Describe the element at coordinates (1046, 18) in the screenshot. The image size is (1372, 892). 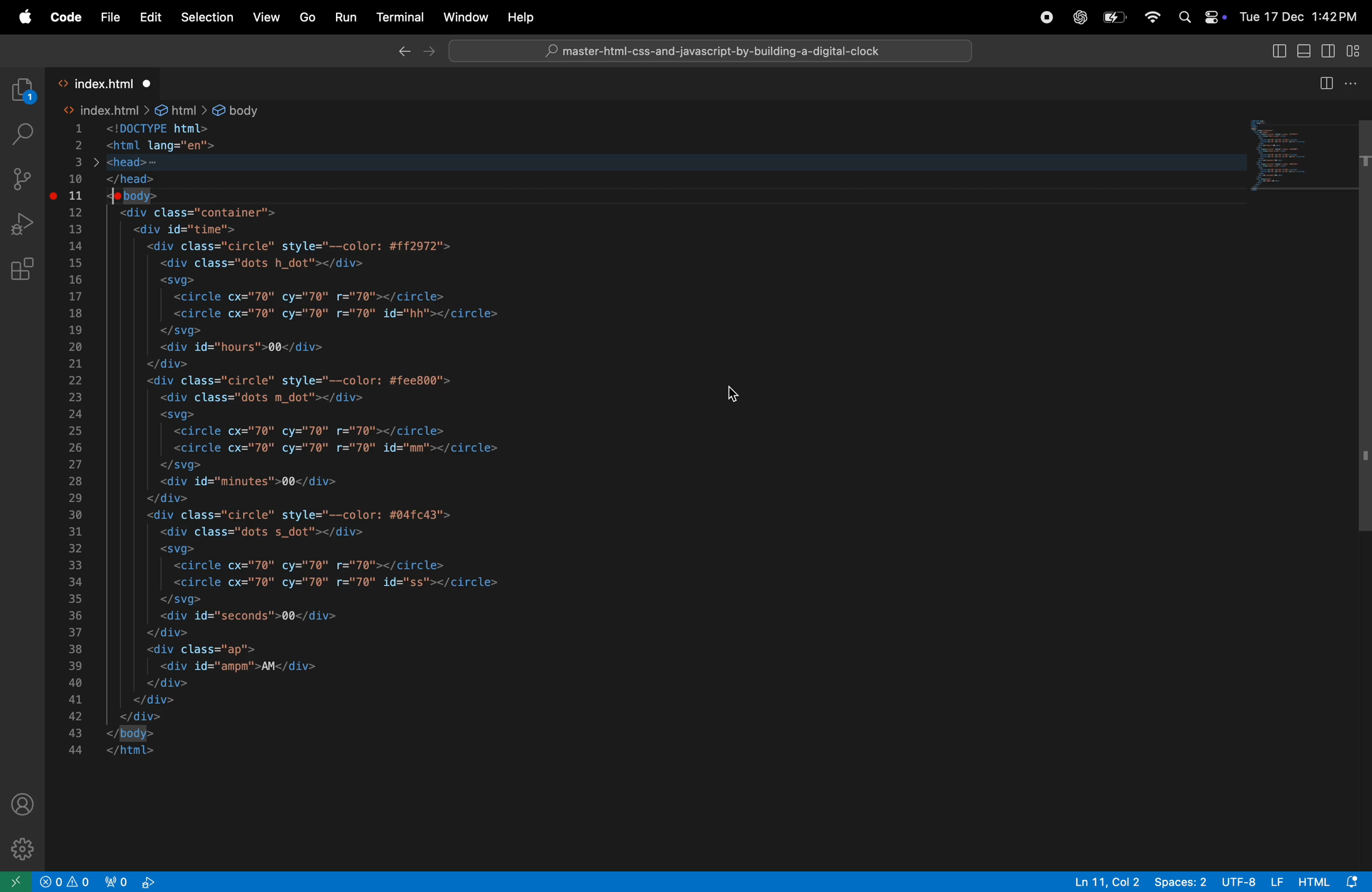
I see `record` at that location.